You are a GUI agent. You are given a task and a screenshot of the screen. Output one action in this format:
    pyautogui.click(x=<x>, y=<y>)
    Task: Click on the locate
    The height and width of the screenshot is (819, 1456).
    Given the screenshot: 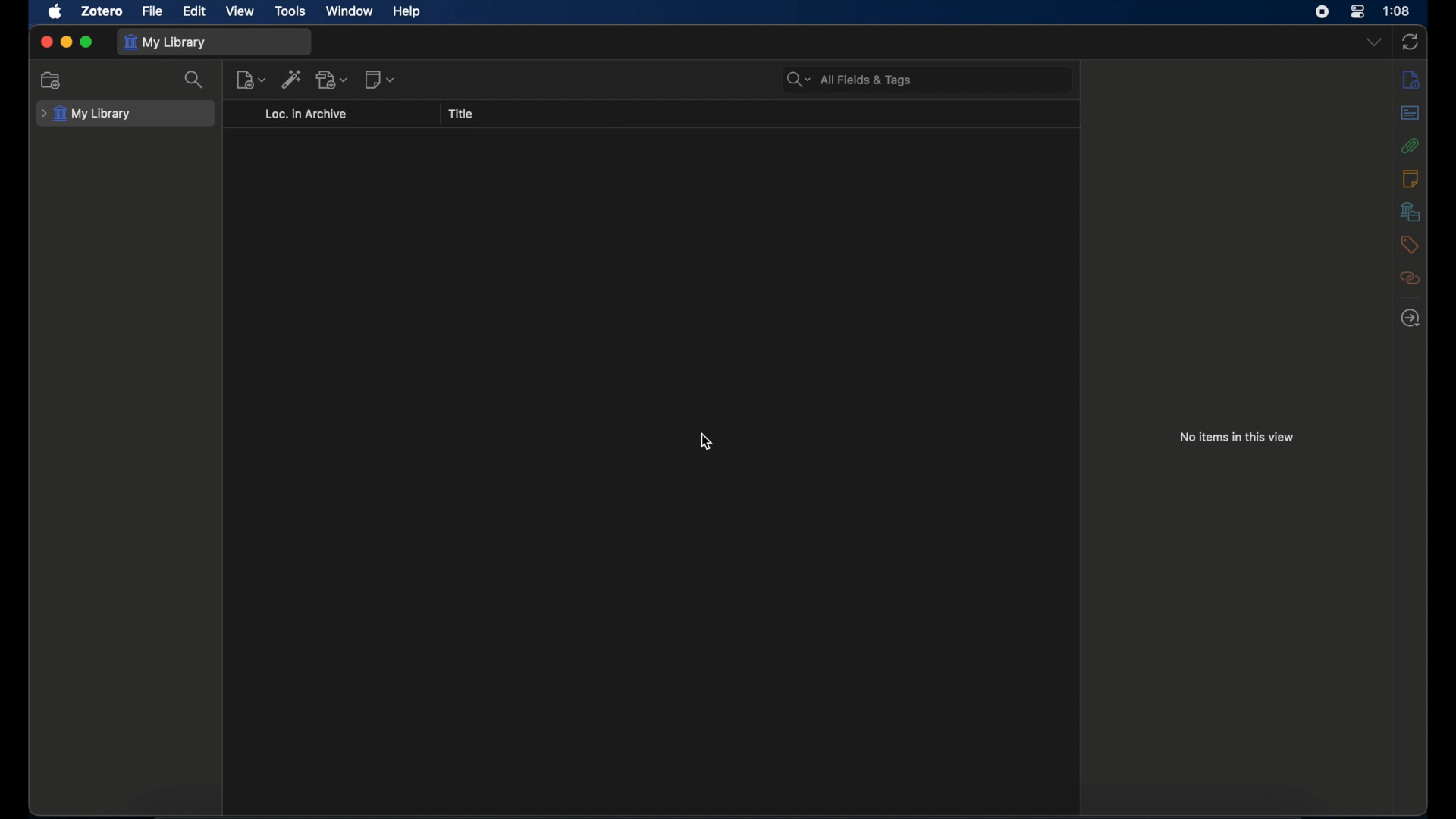 What is the action you would take?
    pyautogui.click(x=1411, y=318)
    